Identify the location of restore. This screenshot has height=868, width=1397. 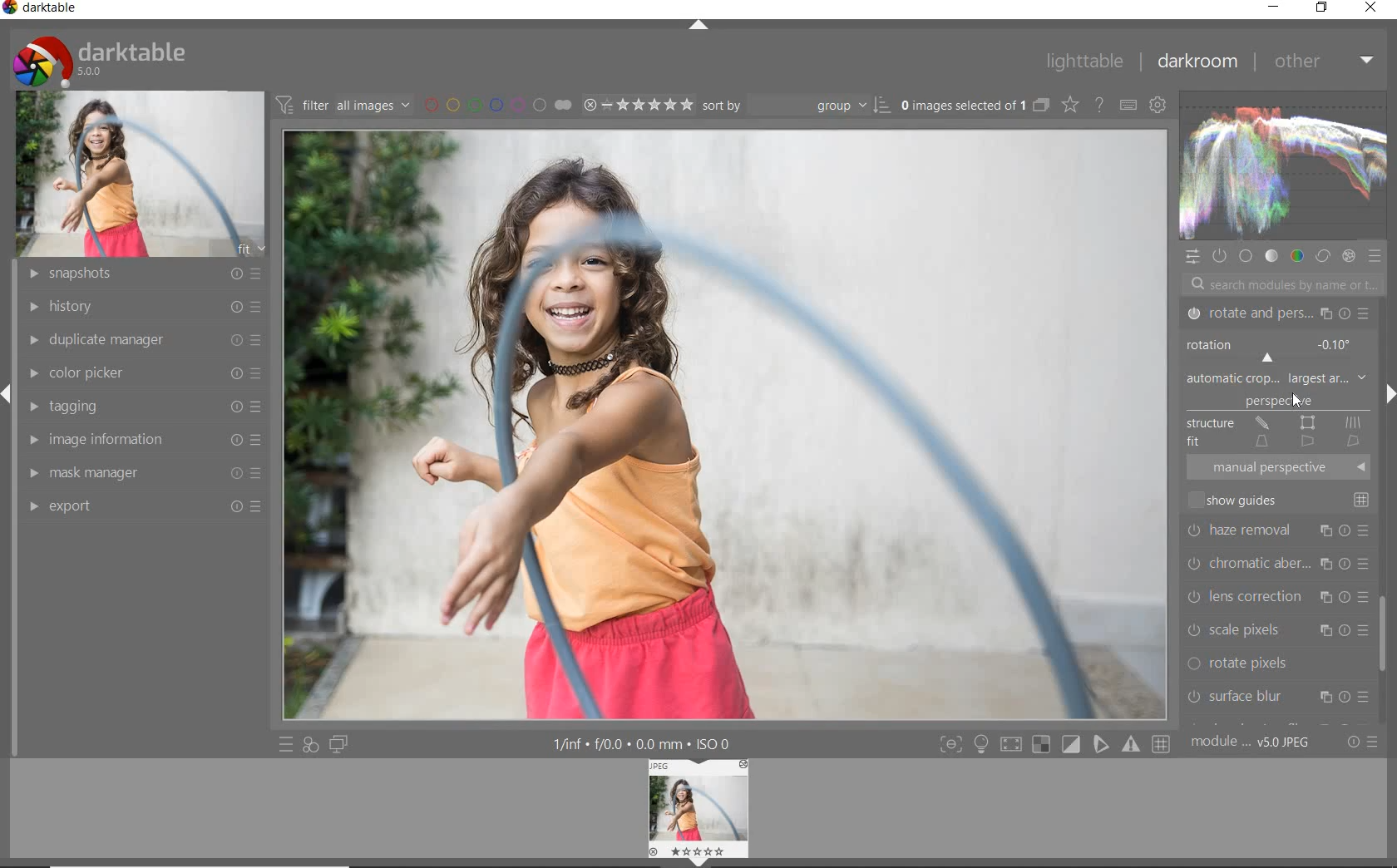
(1324, 7).